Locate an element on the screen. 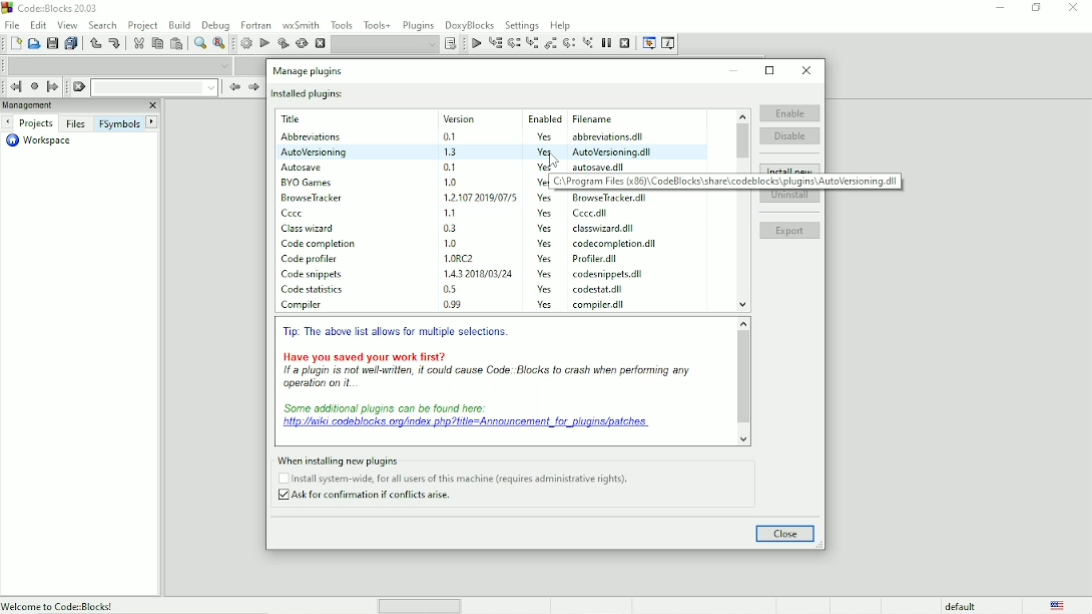 The height and width of the screenshot is (614, 1092). 1.0 is located at coordinates (452, 243).